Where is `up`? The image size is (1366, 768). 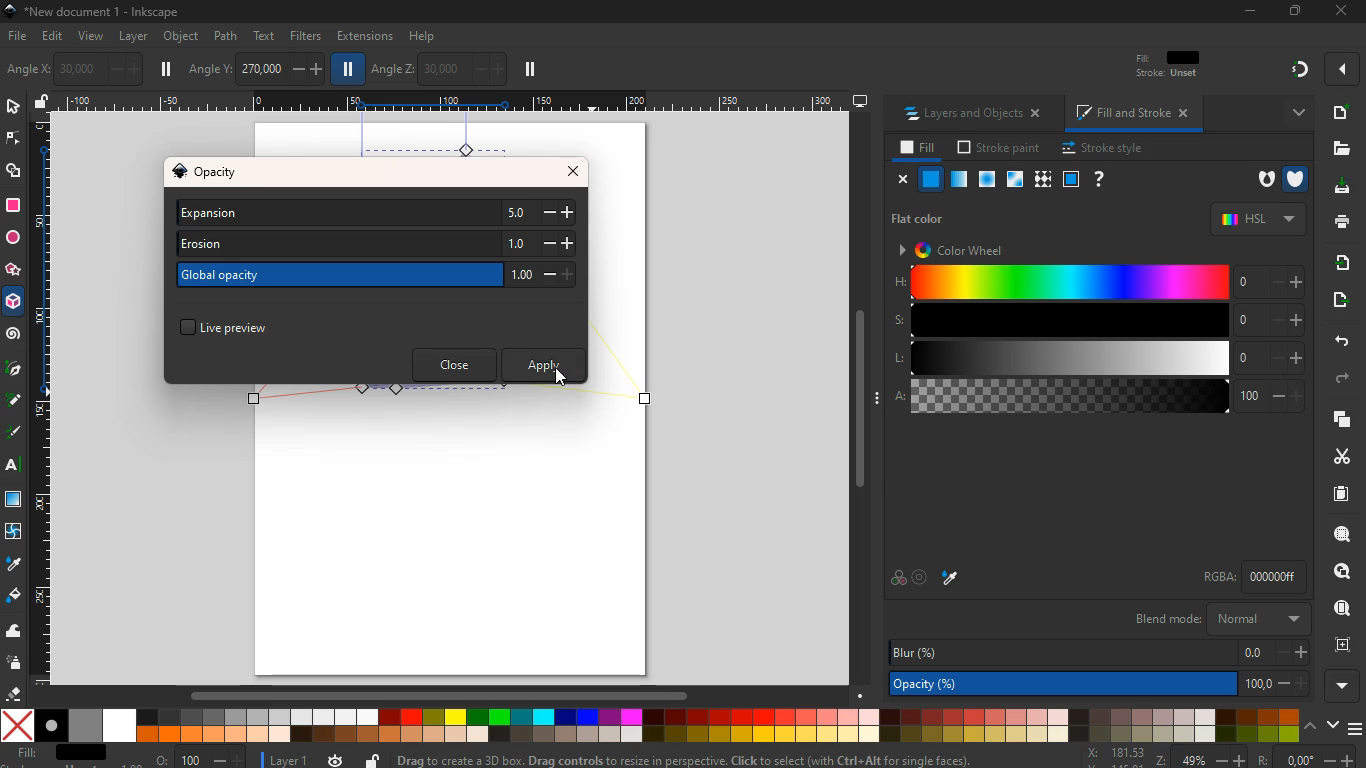
up is located at coordinates (1311, 727).